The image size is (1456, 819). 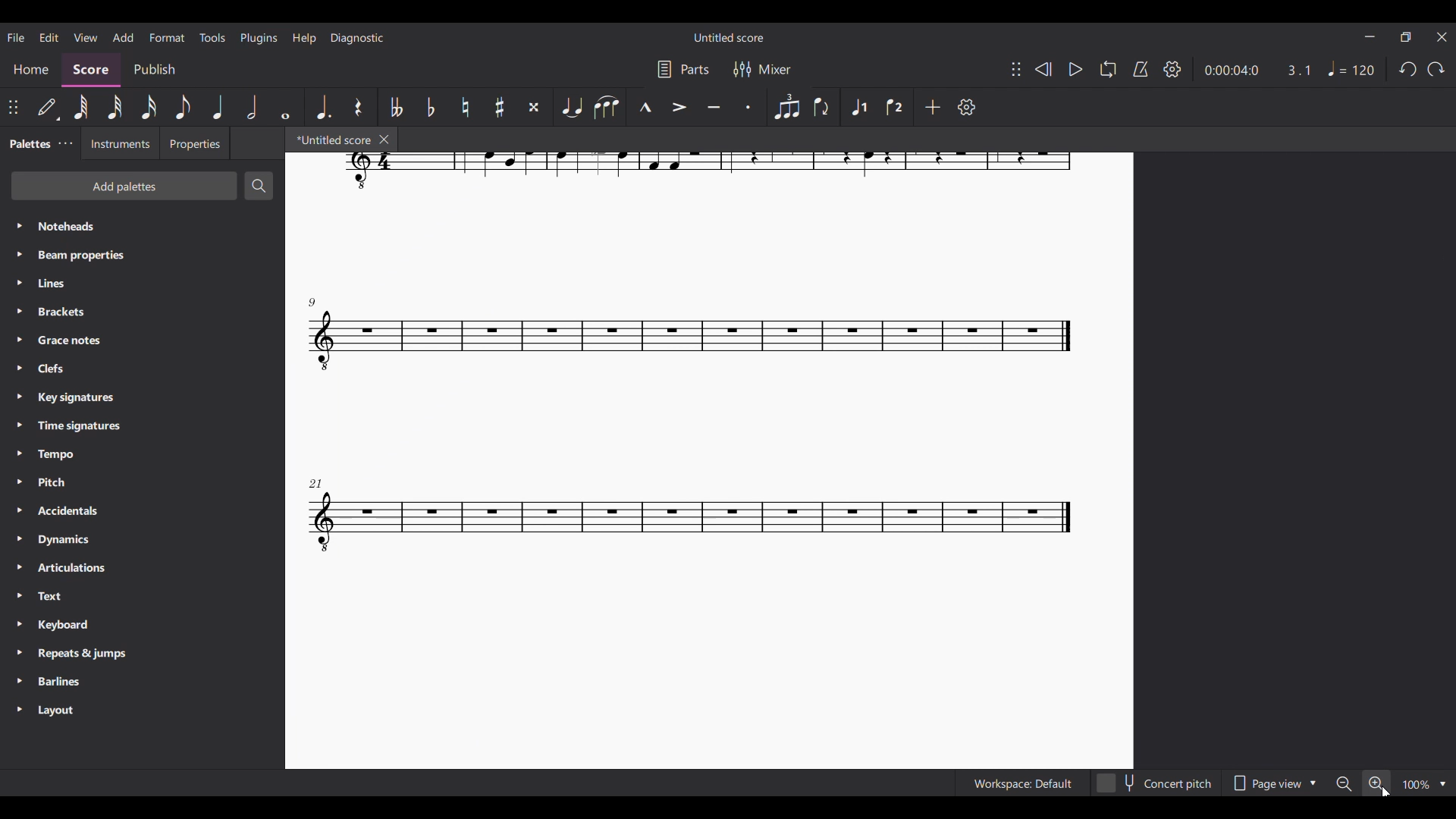 I want to click on Score, current section highlighted, so click(x=91, y=71).